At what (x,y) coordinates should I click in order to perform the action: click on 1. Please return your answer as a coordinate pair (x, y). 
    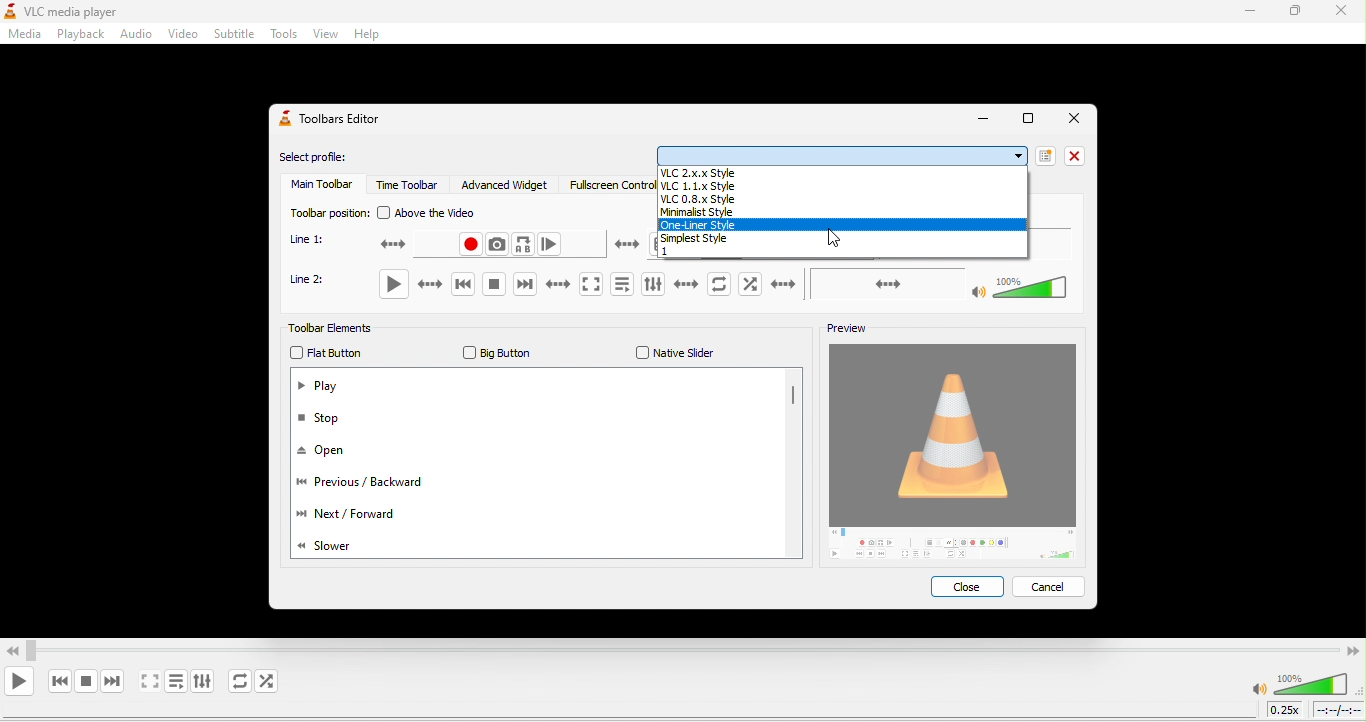
    Looking at the image, I should click on (841, 252).